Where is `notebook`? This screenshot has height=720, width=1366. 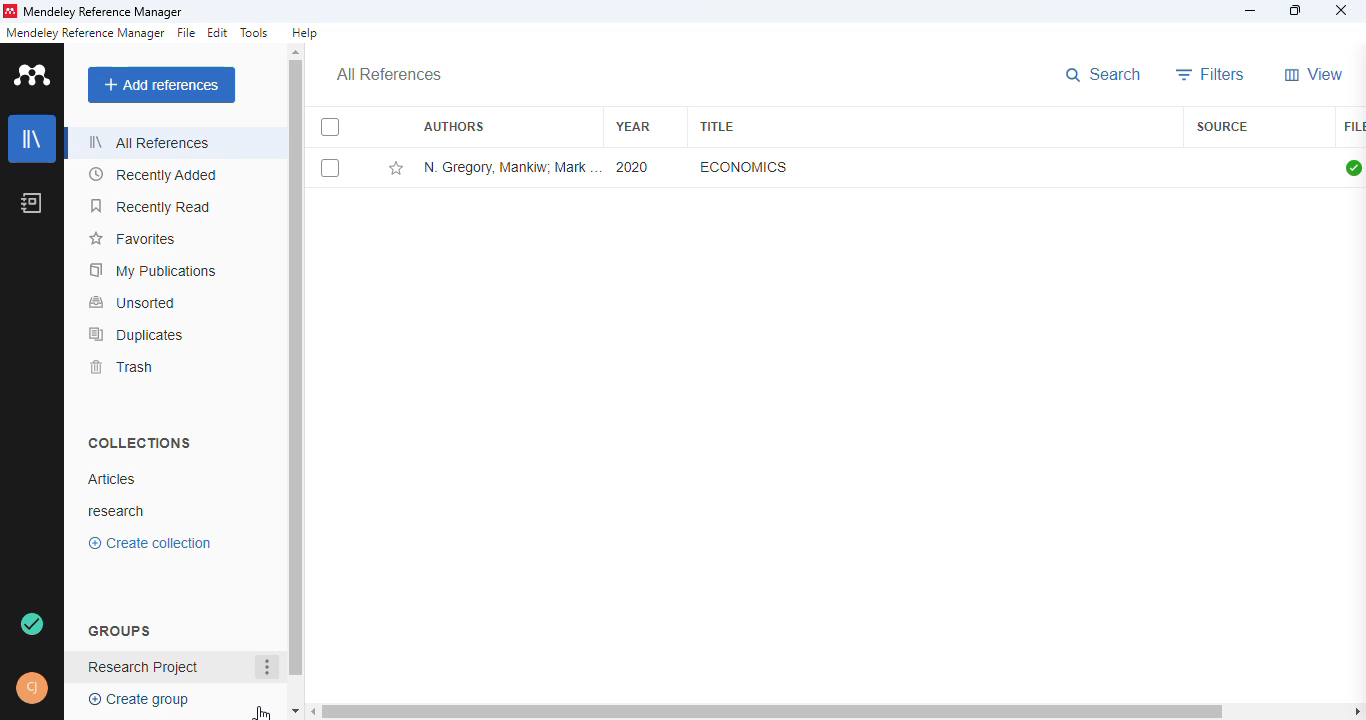
notebook is located at coordinates (31, 202).